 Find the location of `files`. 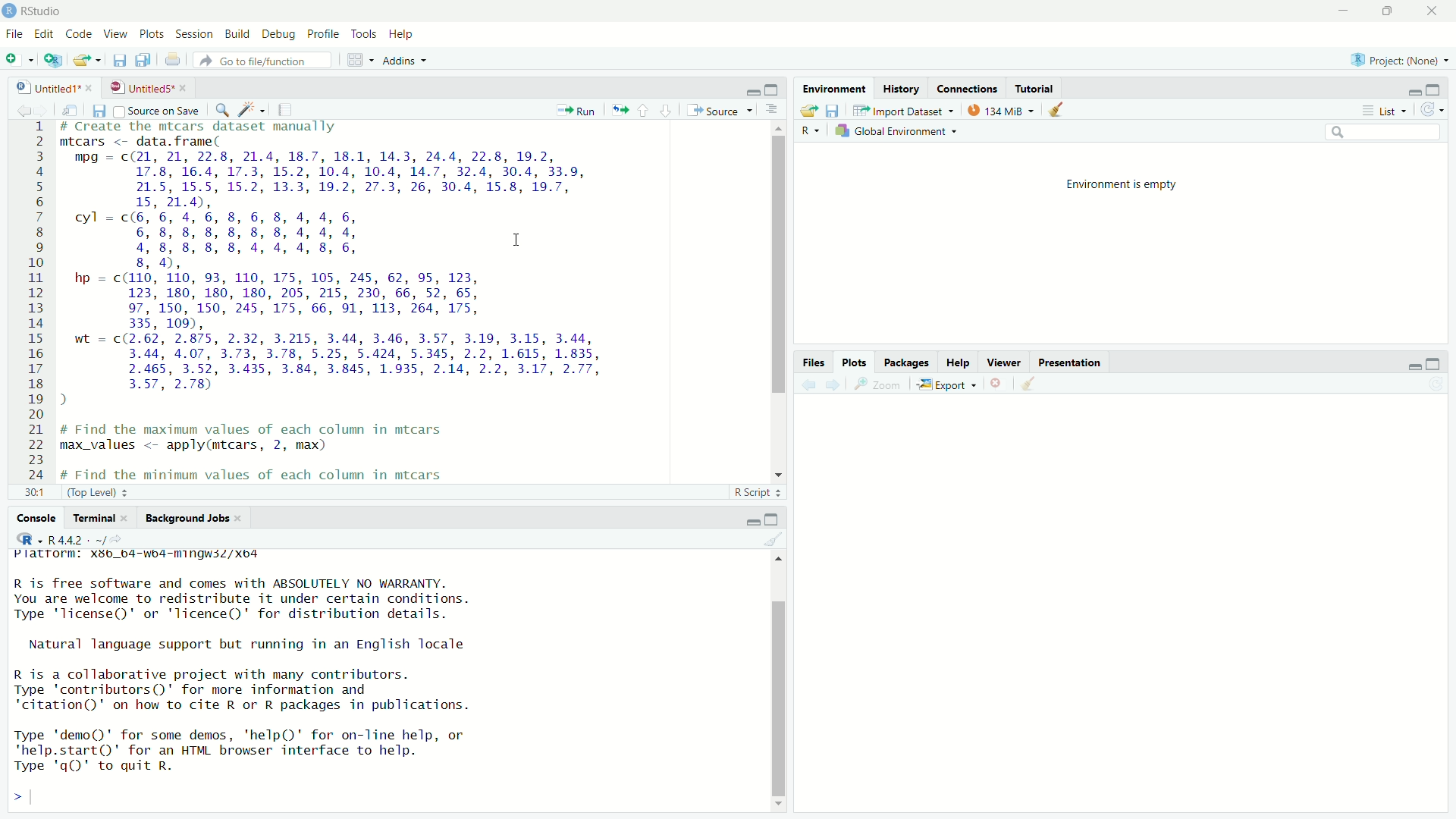

files is located at coordinates (839, 112).